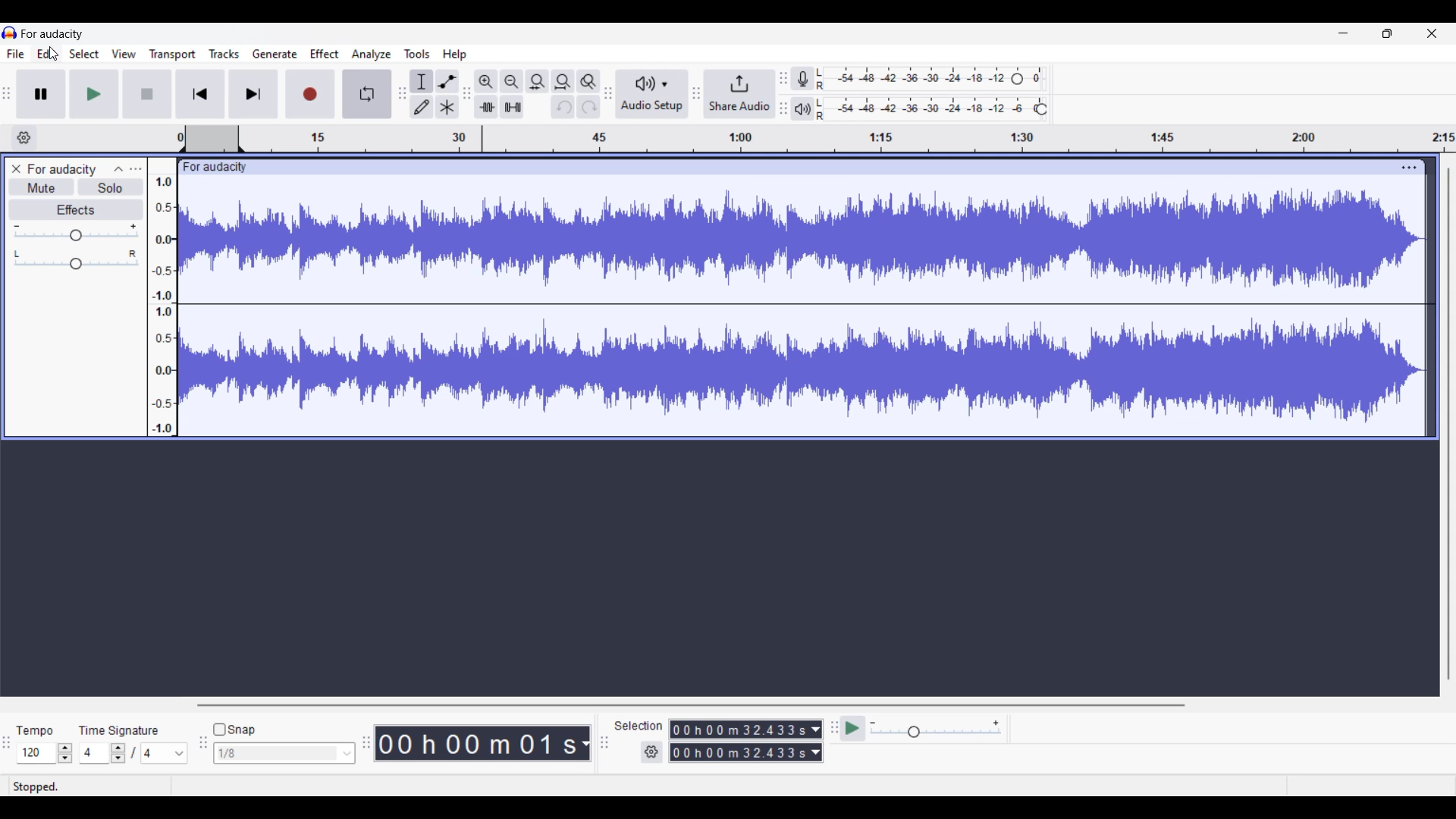 The width and height of the screenshot is (1456, 819). What do you see at coordinates (652, 93) in the screenshot?
I see `Audio setup` at bounding box center [652, 93].